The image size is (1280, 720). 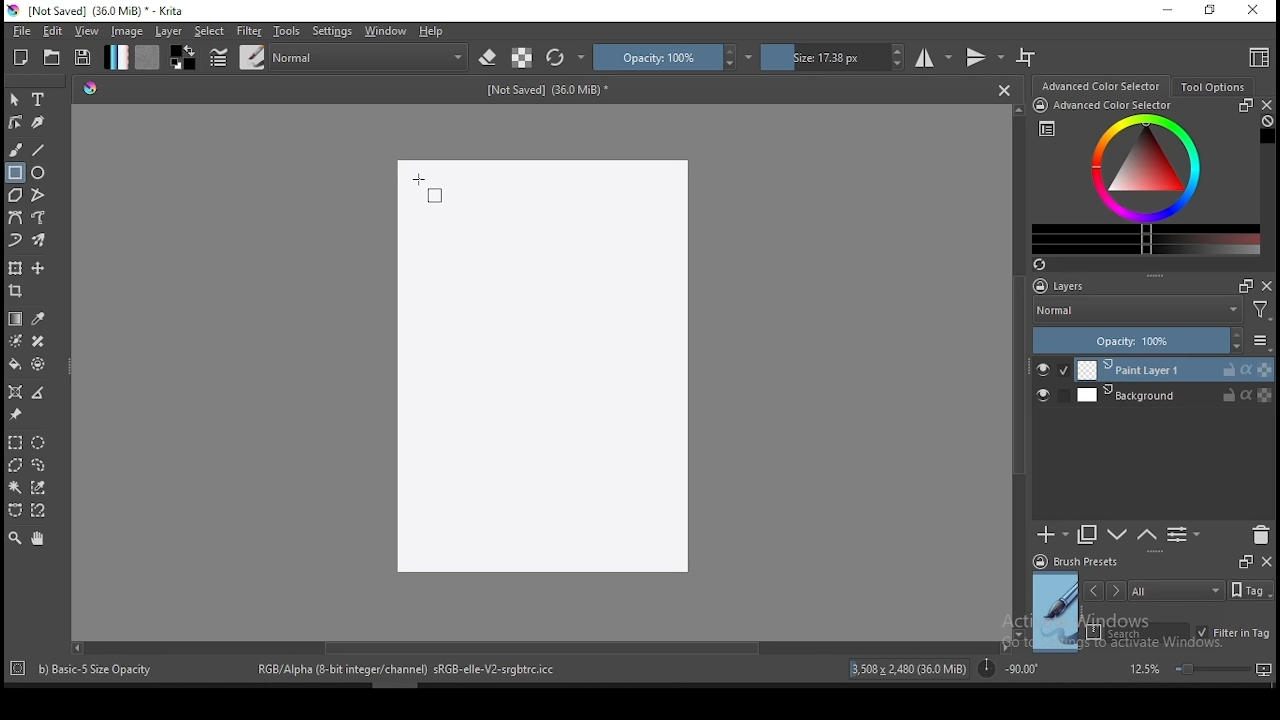 What do you see at coordinates (522, 59) in the screenshot?
I see `preserve alpha` at bounding box center [522, 59].